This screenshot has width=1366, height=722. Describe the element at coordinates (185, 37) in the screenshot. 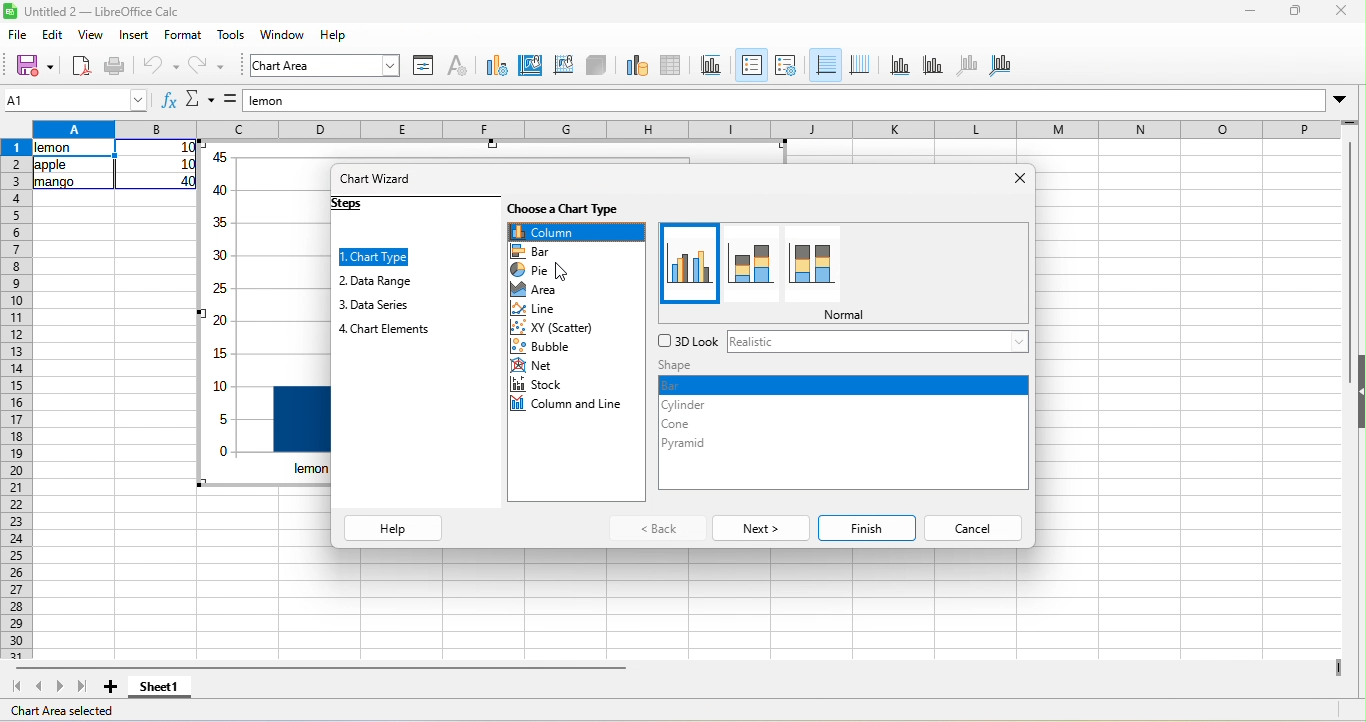

I see `format` at that location.